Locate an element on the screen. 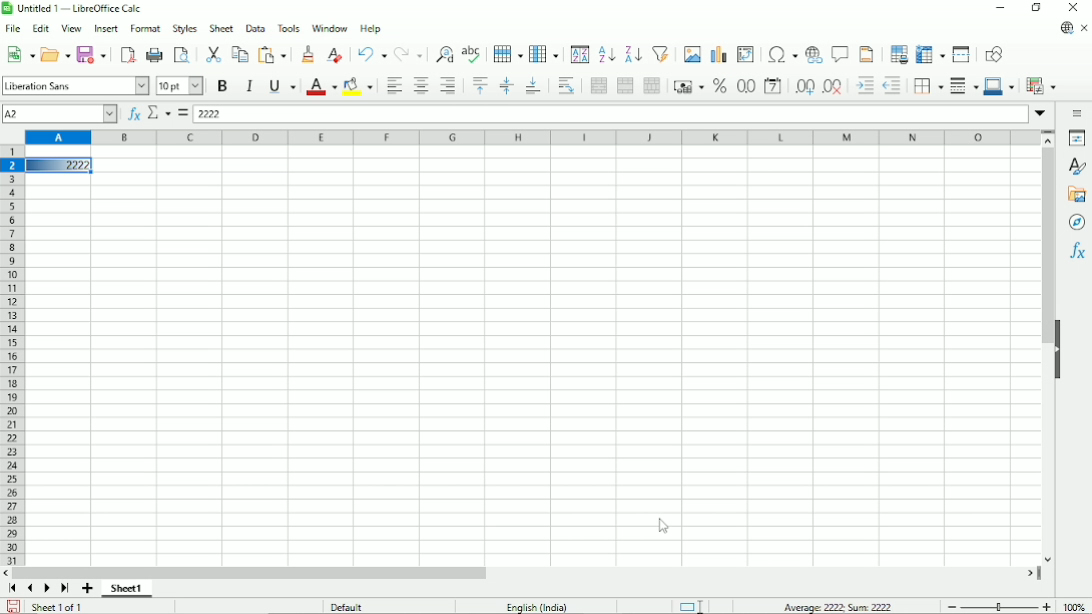 The width and height of the screenshot is (1092, 614). Edit is located at coordinates (40, 28).